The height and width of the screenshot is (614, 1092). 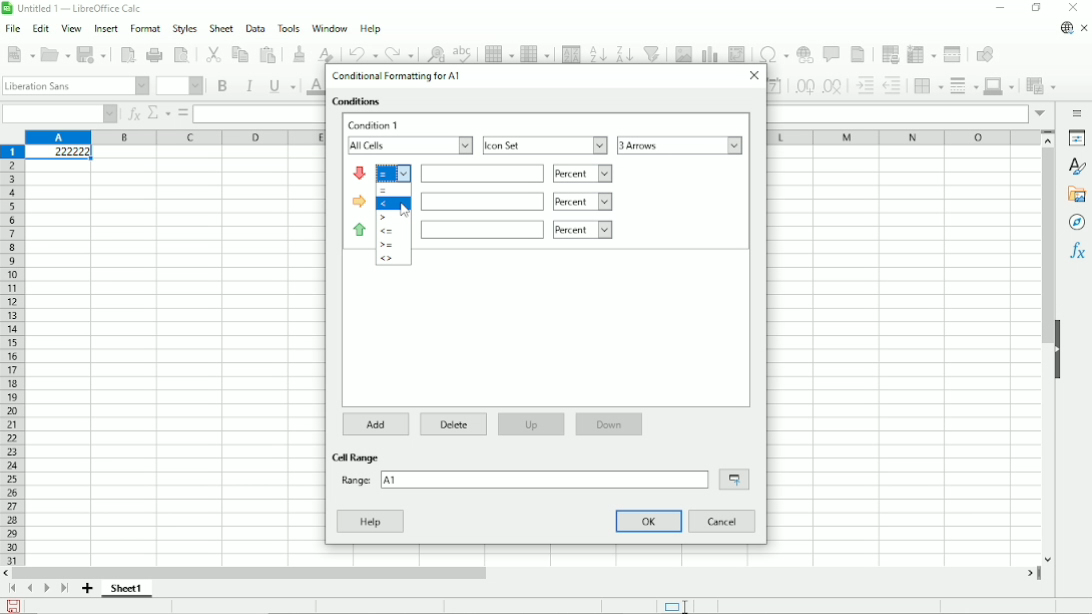 What do you see at coordinates (385, 217) in the screenshot?
I see `>` at bounding box center [385, 217].